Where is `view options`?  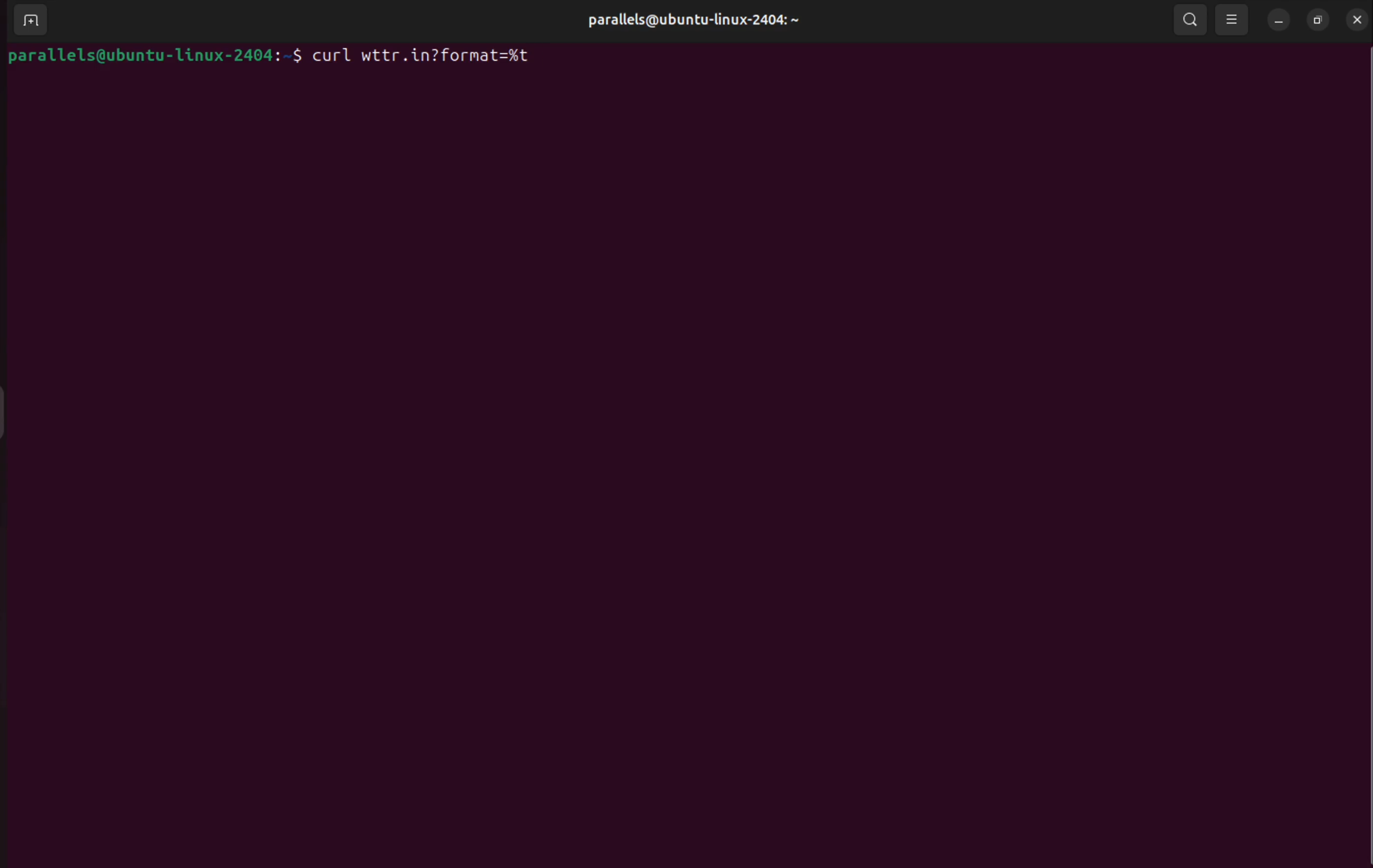 view options is located at coordinates (1232, 20).